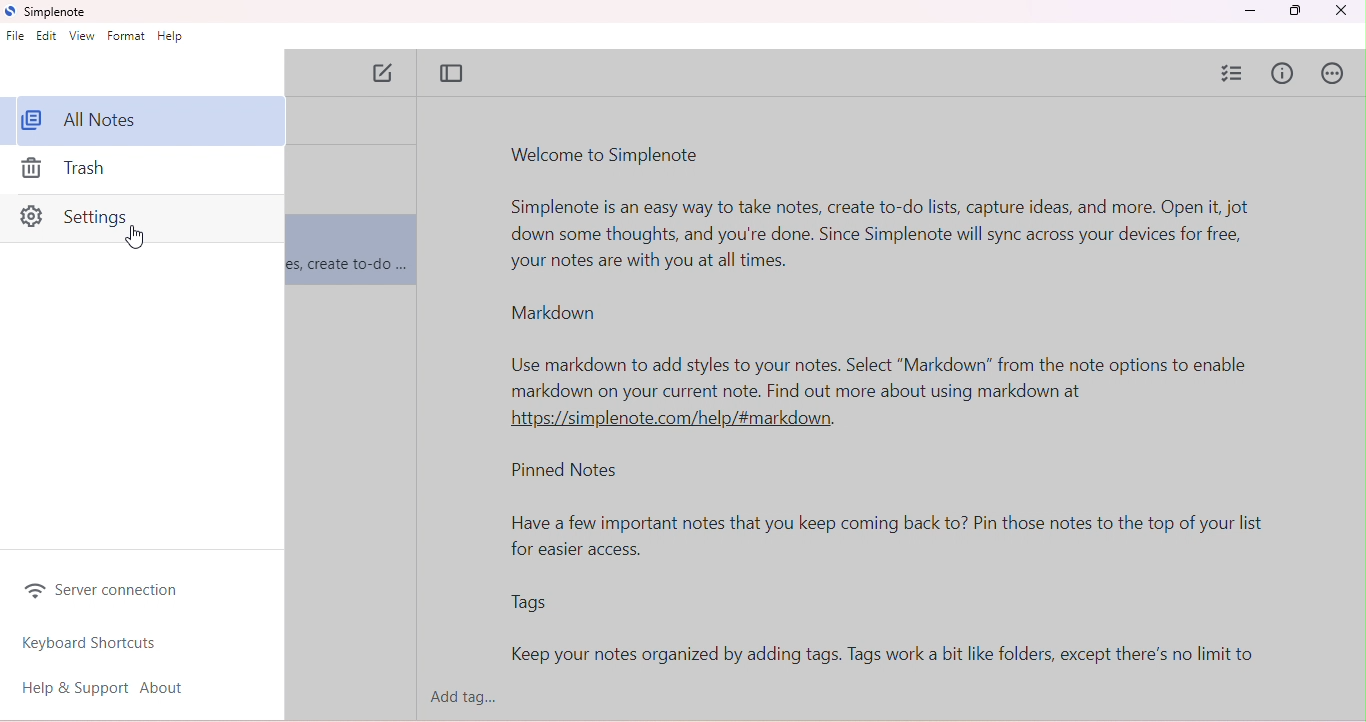  Describe the element at coordinates (48, 37) in the screenshot. I see `edit` at that location.